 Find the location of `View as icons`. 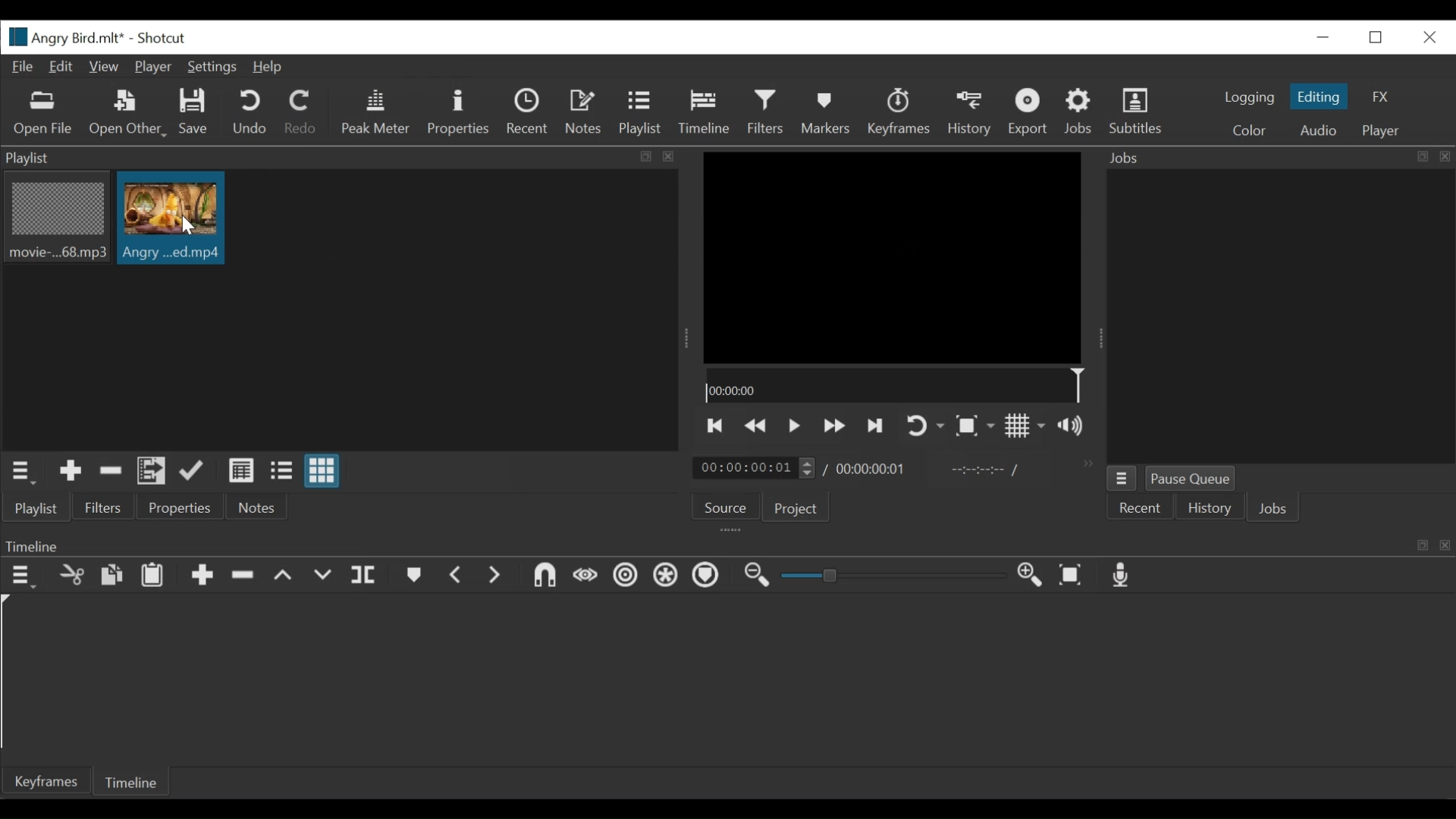

View as icons is located at coordinates (322, 471).